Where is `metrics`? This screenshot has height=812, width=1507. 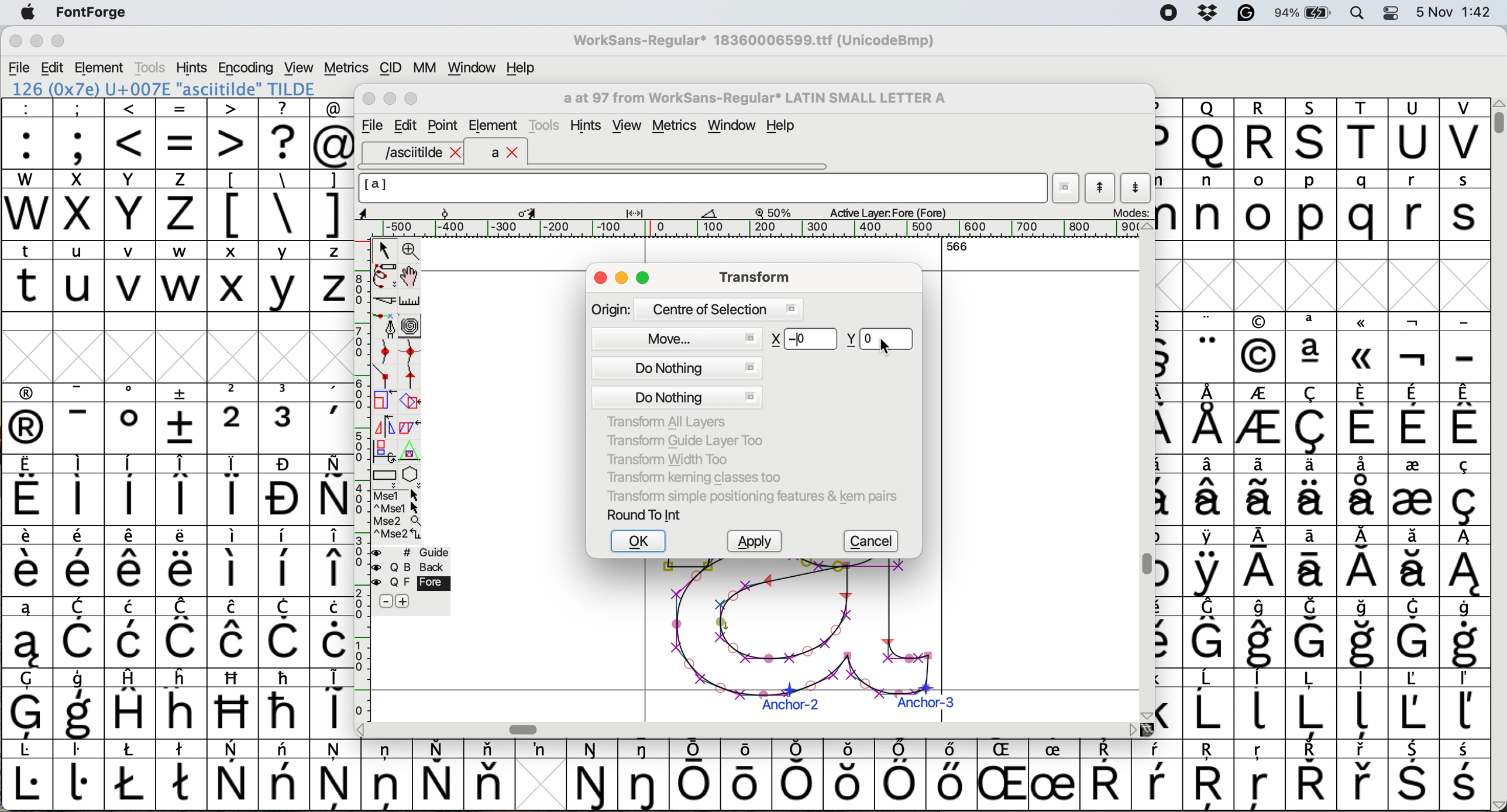
metrics is located at coordinates (346, 68).